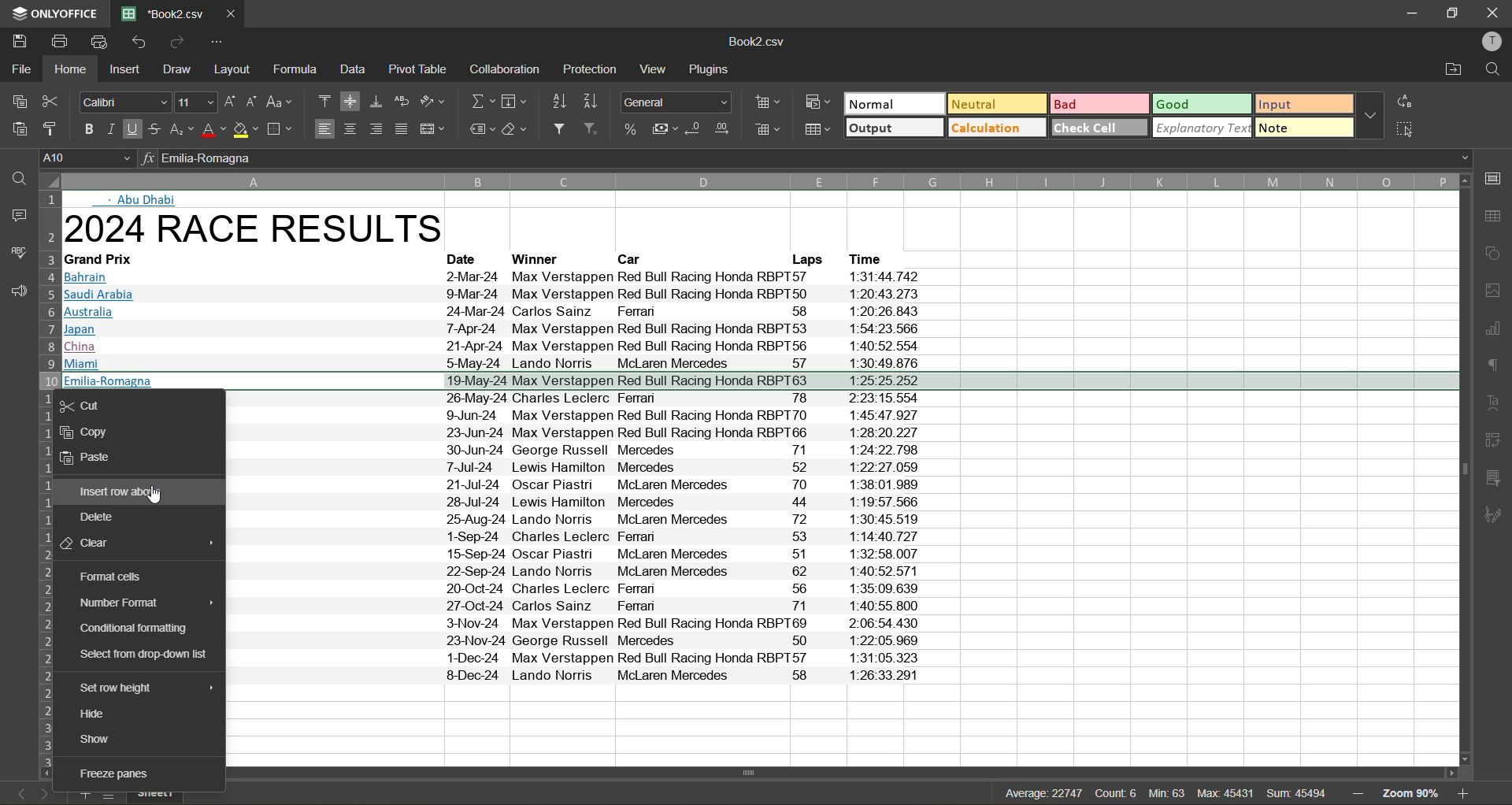 The width and height of the screenshot is (1512, 805). I want to click on underline, so click(133, 129).